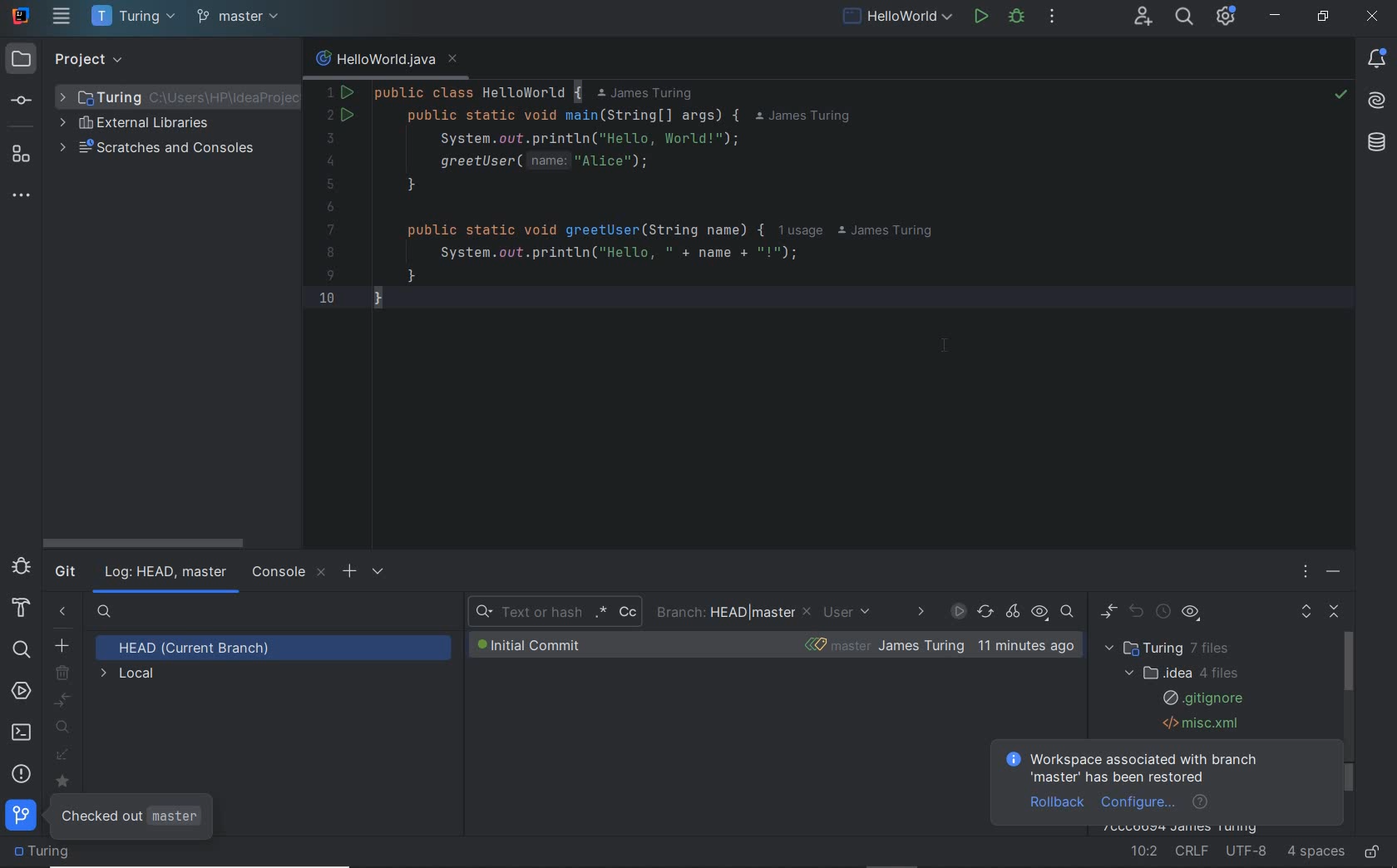 The height and width of the screenshot is (868, 1397). Describe the element at coordinates (920, 613) in the screenshot. I see `DATE` at that location.